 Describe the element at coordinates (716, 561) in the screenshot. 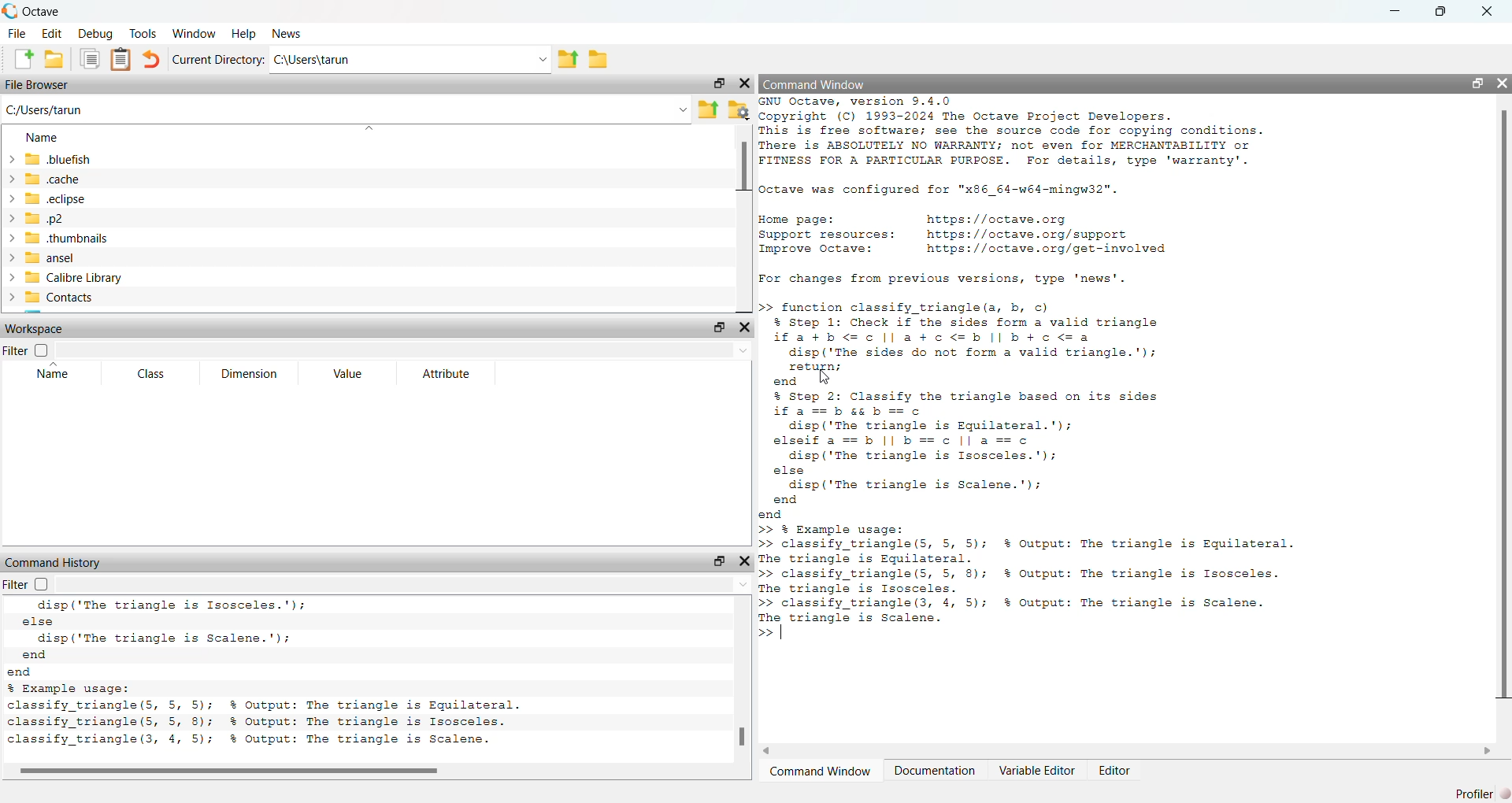

I see `unlock widget` at that location.